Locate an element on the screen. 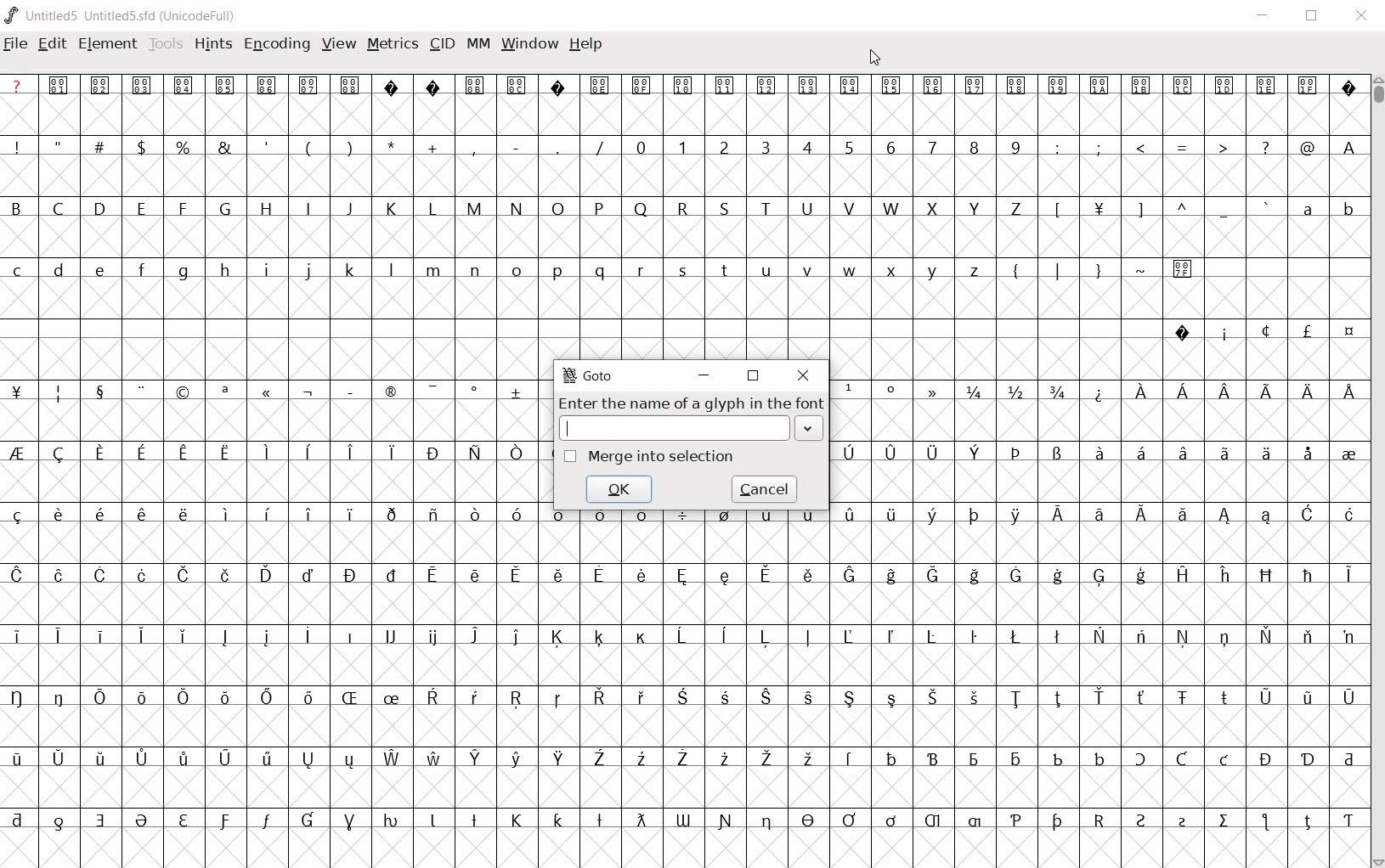 This screenshot has height=868, width=1385. Symbol is located at coordinates (20, 635).